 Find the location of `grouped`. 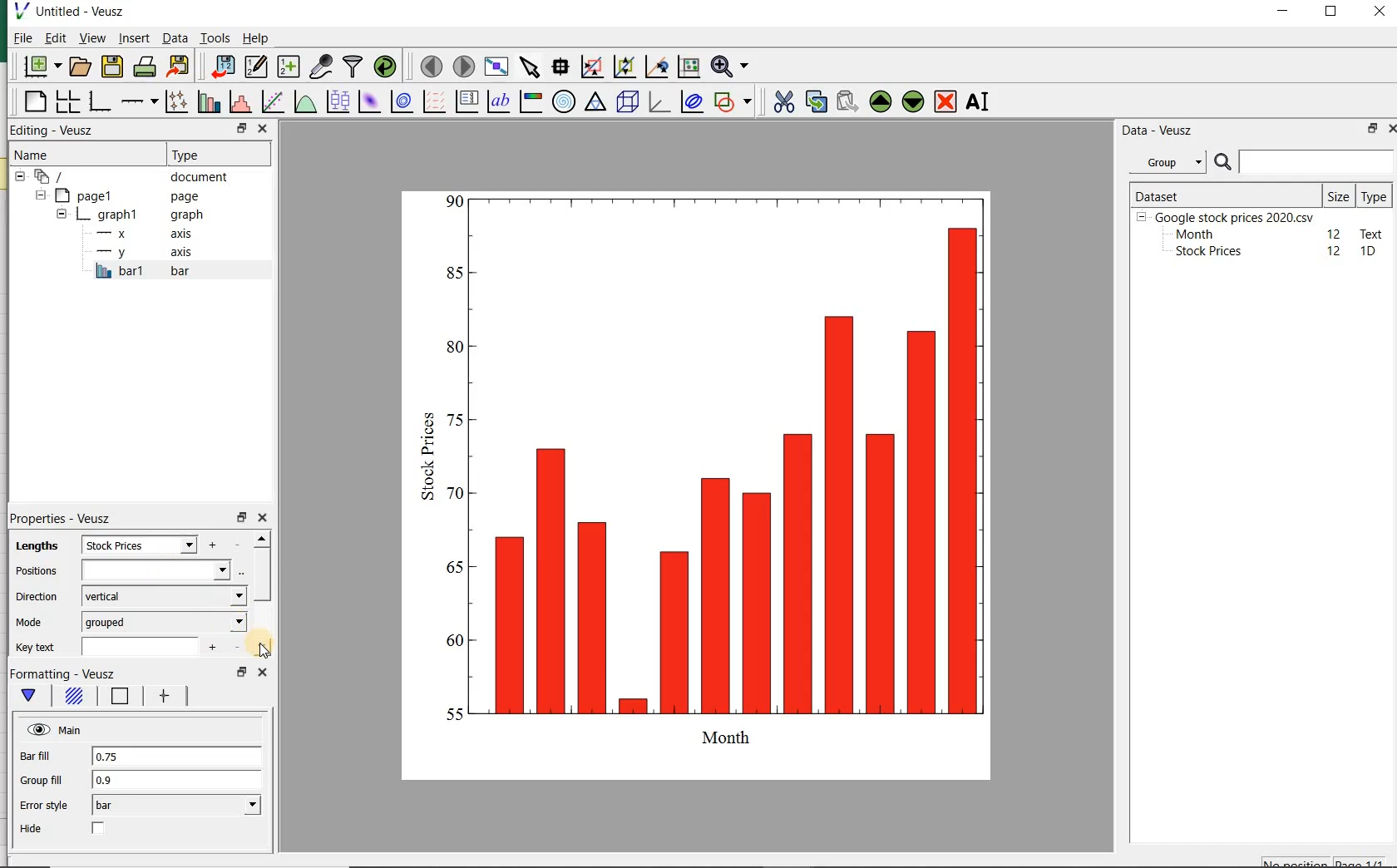

grouped is located at coordinates (165, 622).